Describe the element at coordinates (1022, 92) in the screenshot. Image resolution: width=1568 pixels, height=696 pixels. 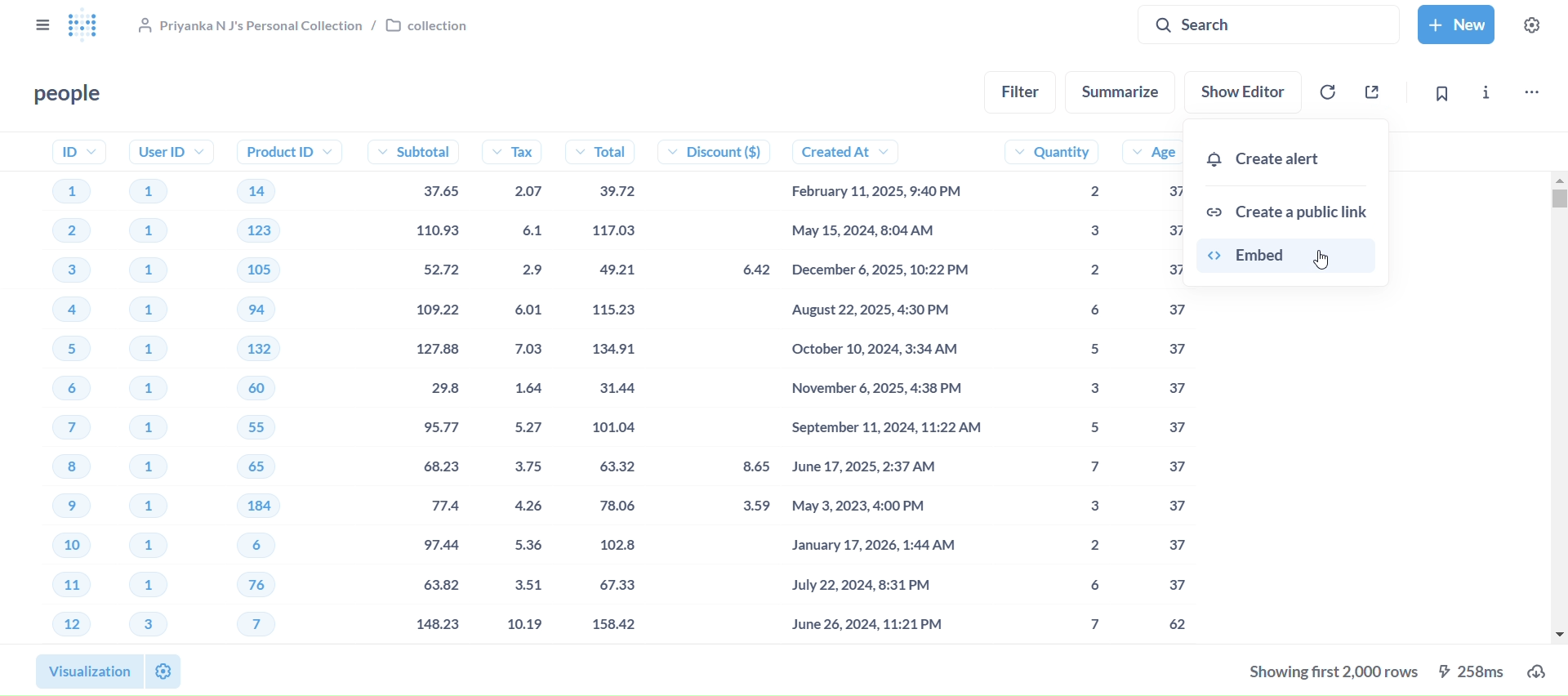
I see `filter` at that location.